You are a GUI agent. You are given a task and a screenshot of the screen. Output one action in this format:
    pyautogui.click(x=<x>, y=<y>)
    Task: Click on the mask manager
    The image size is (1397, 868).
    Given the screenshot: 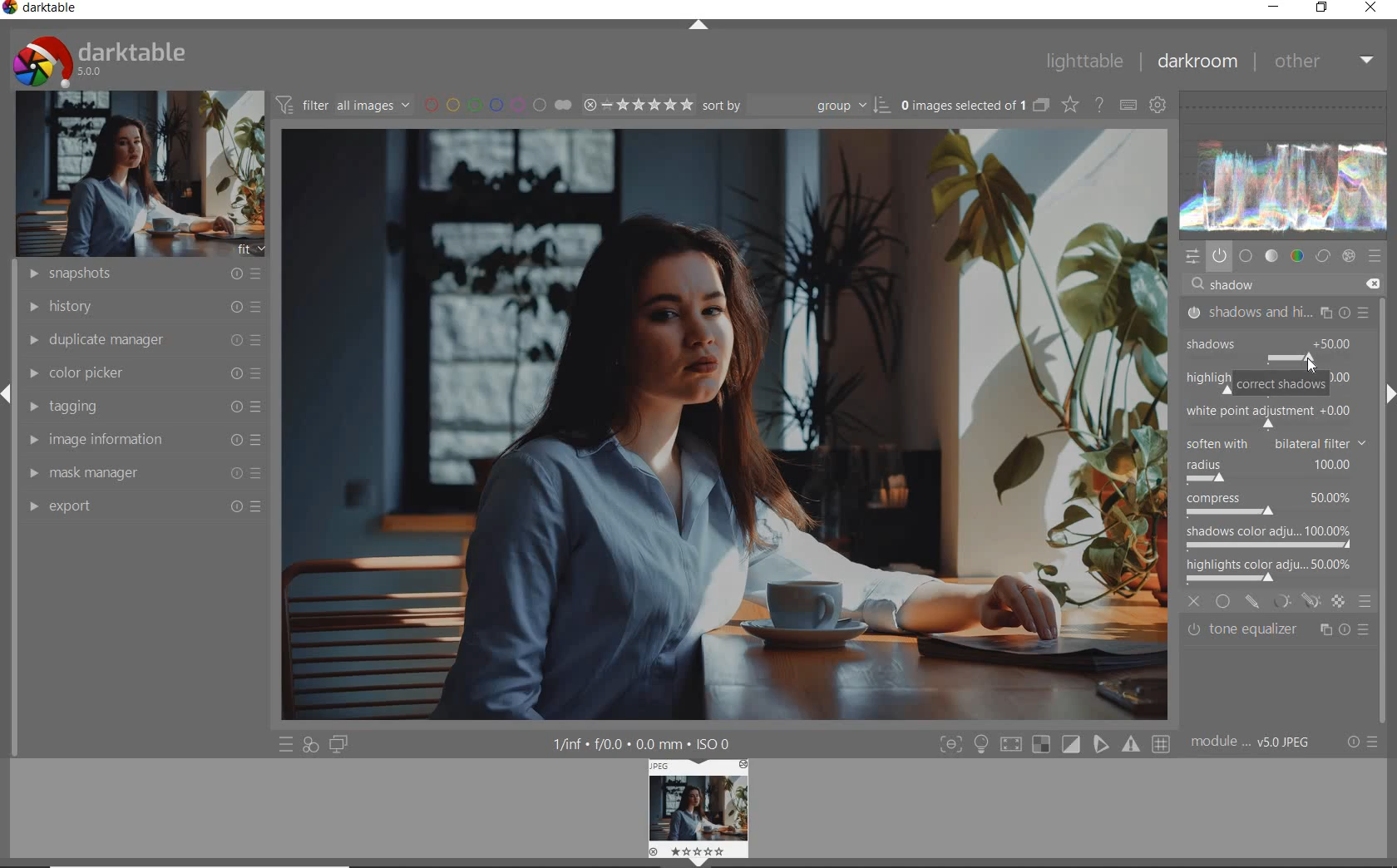 What is the action you would take?
    pyautogui.click(x=144, y=475)
    